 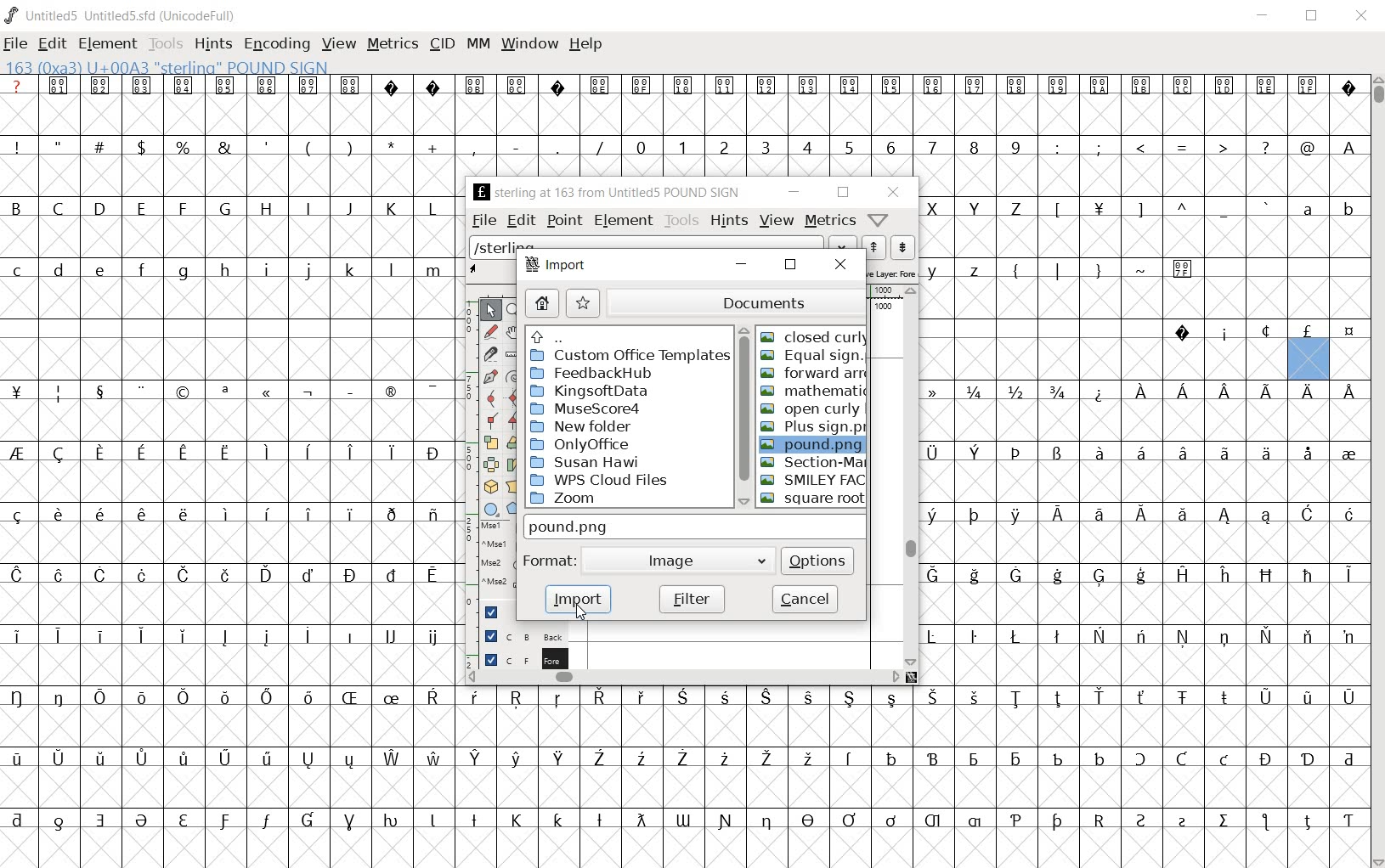 I want to click on Symbol, so click(x=1307, y=697).